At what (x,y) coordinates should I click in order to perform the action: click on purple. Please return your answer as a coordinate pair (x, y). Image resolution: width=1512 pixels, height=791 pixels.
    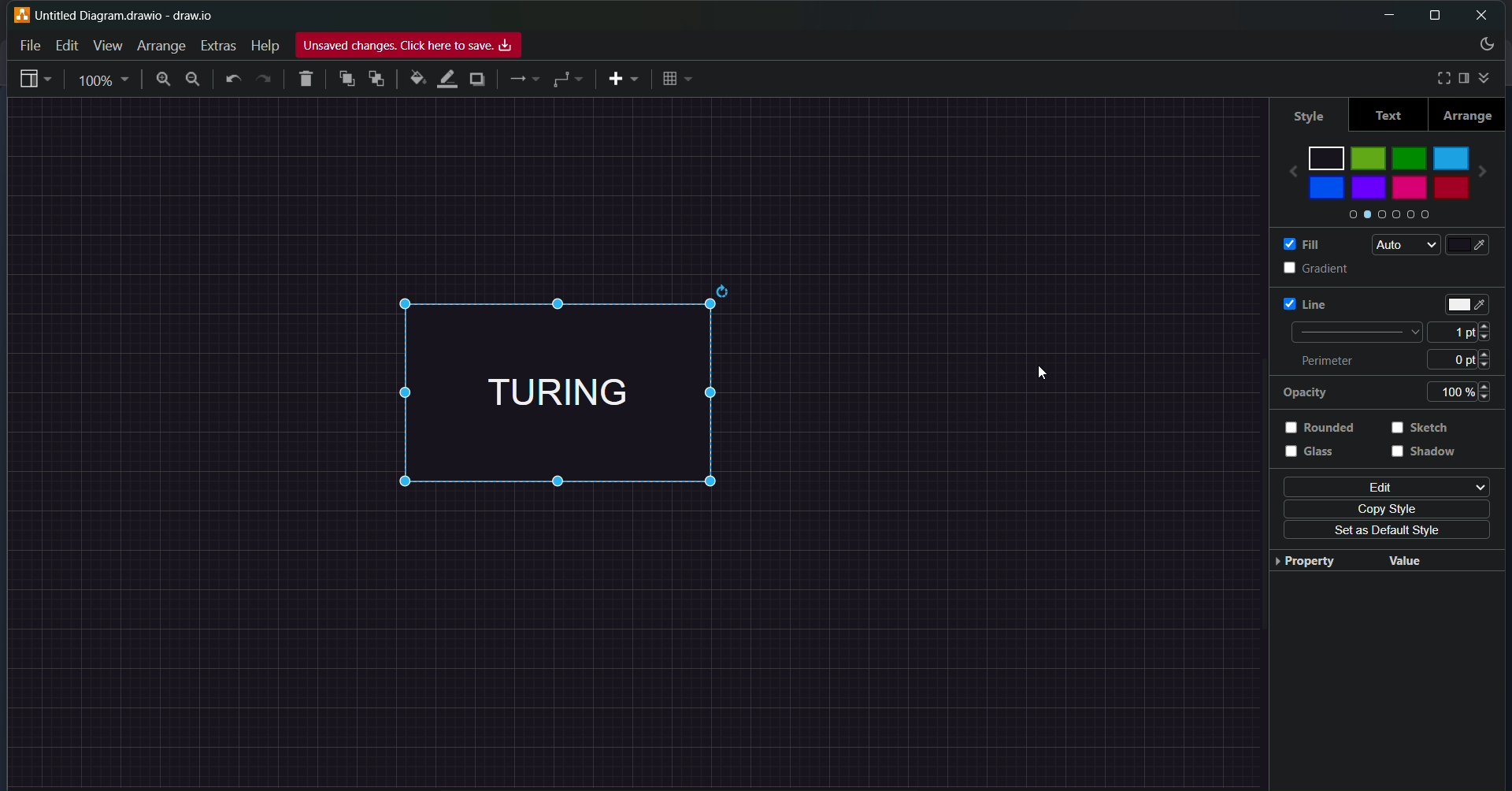
    Looking at the image, I should click on (1371, 188).